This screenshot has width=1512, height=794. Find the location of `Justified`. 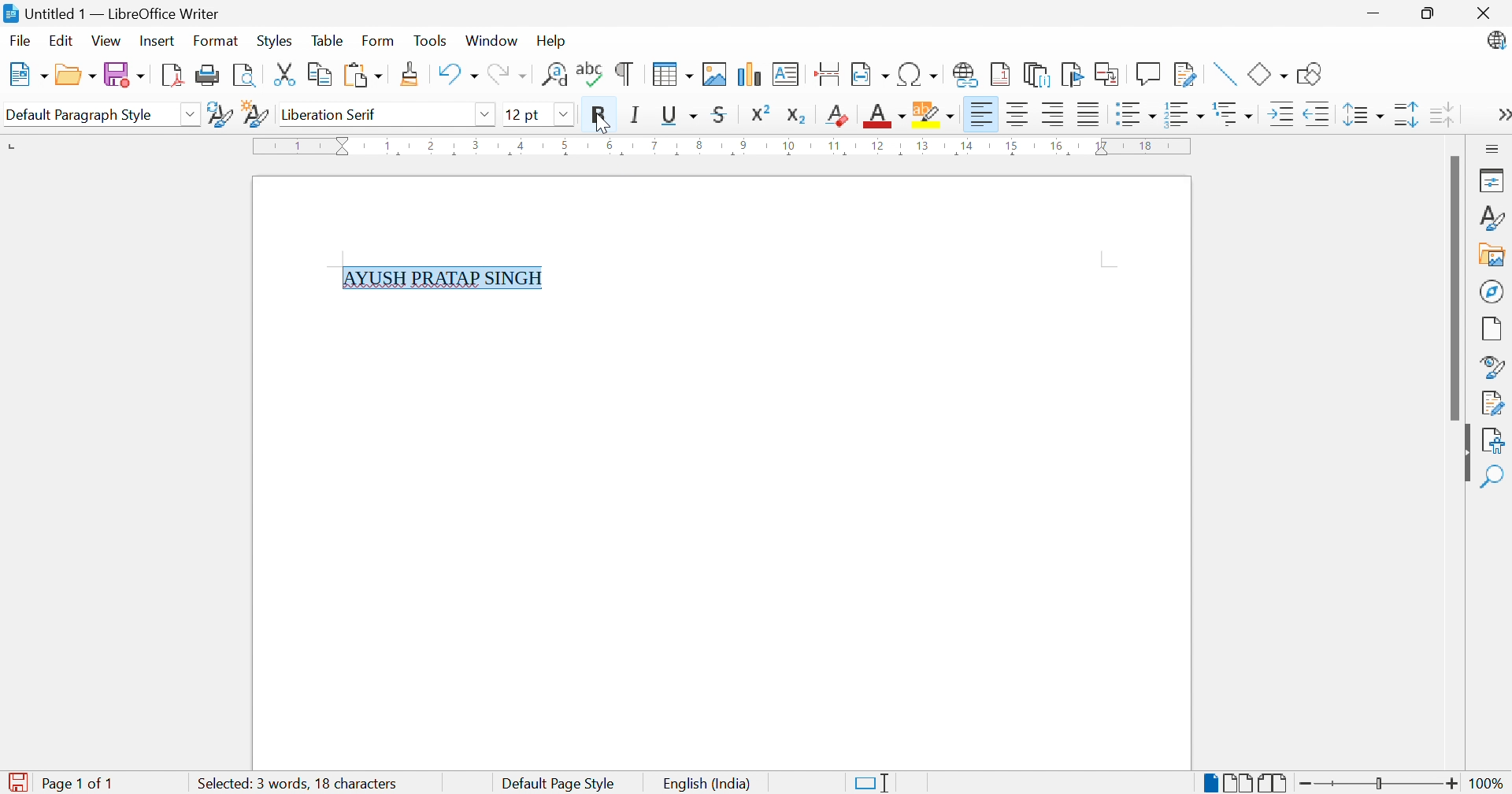

Justified is located at coordinates (1088, 114).